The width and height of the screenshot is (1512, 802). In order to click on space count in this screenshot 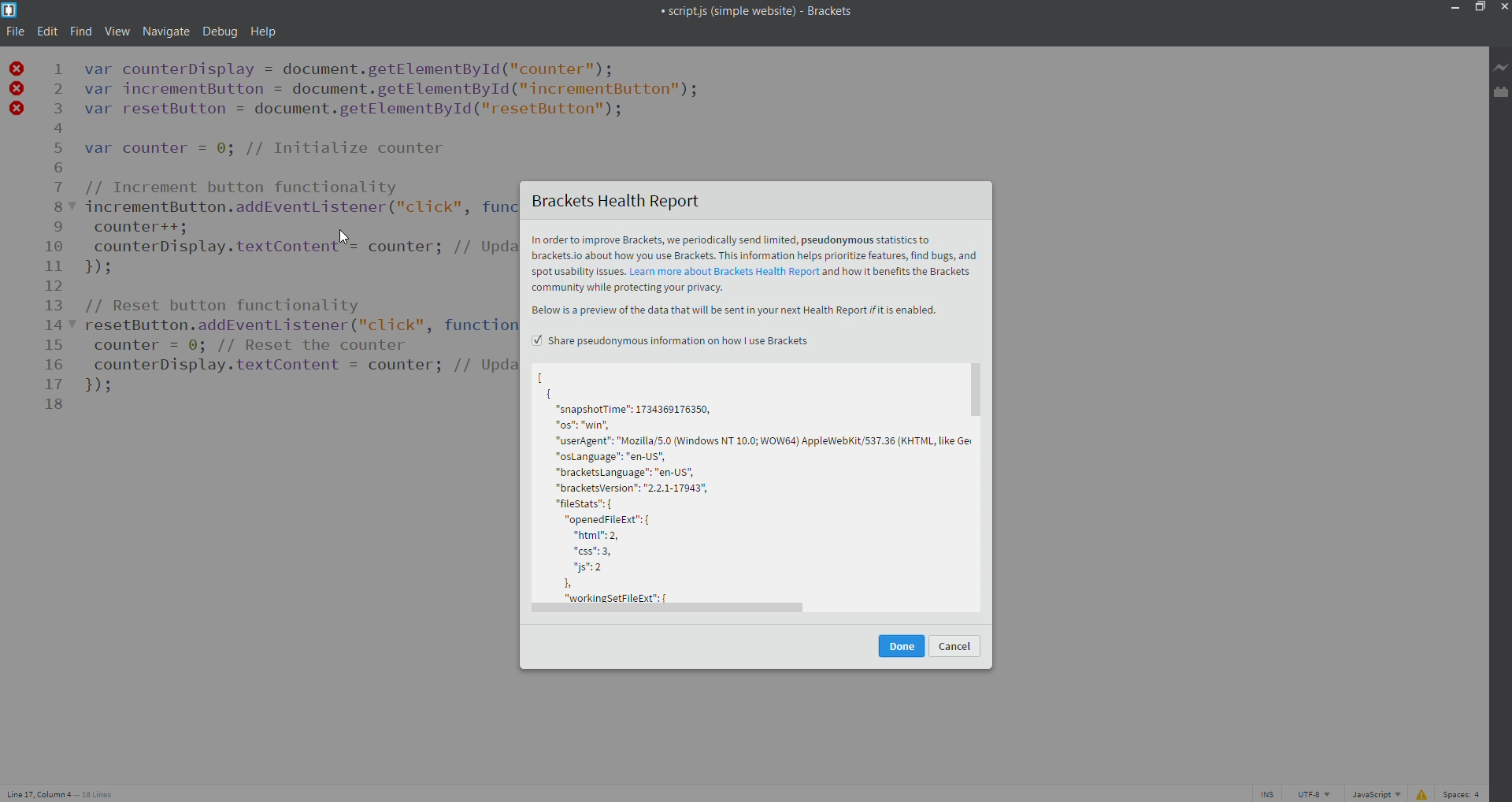, I will do `click(1462, 793)`.